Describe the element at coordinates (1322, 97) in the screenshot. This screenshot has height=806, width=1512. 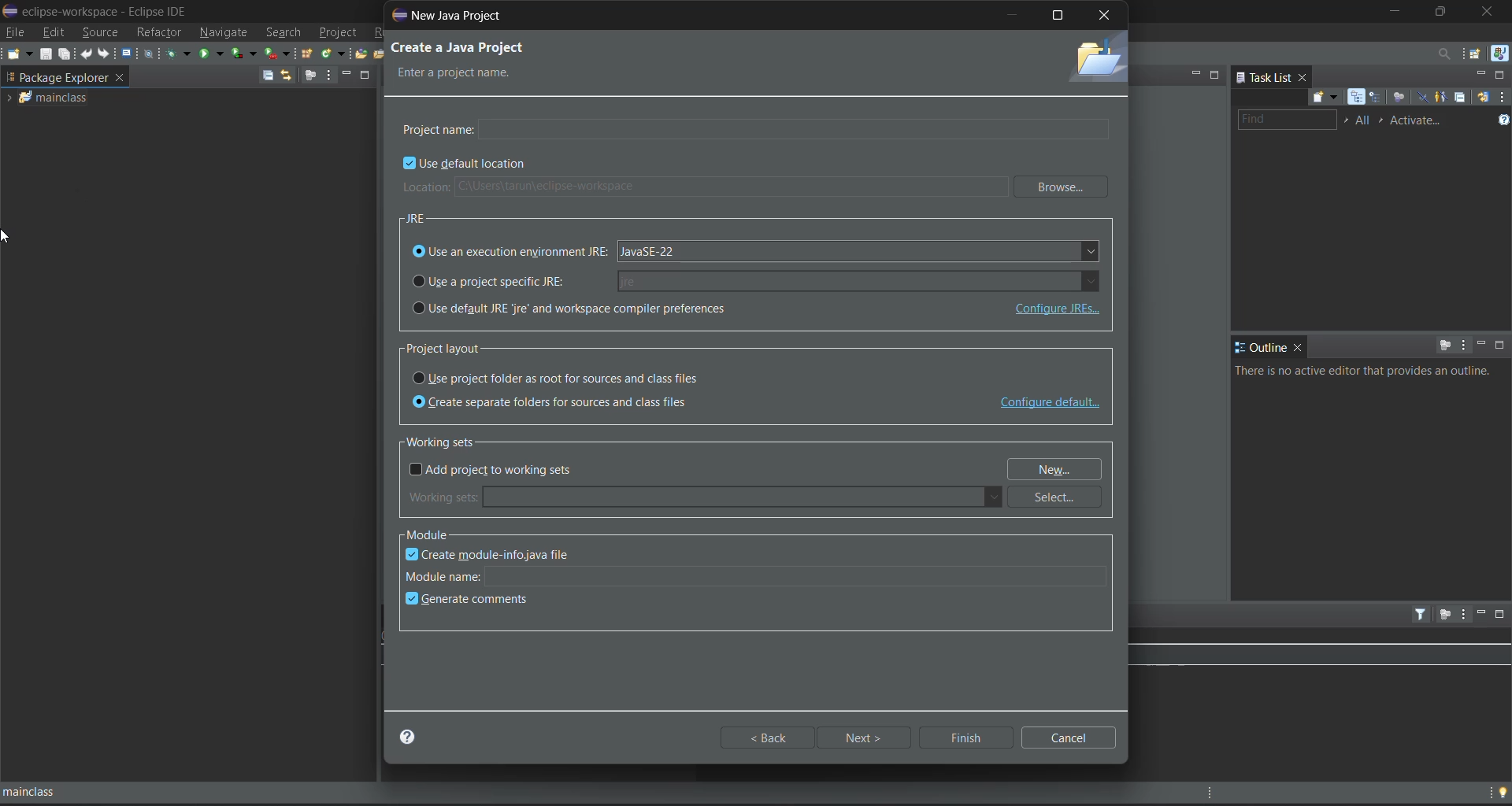
I see `new task` at that location.